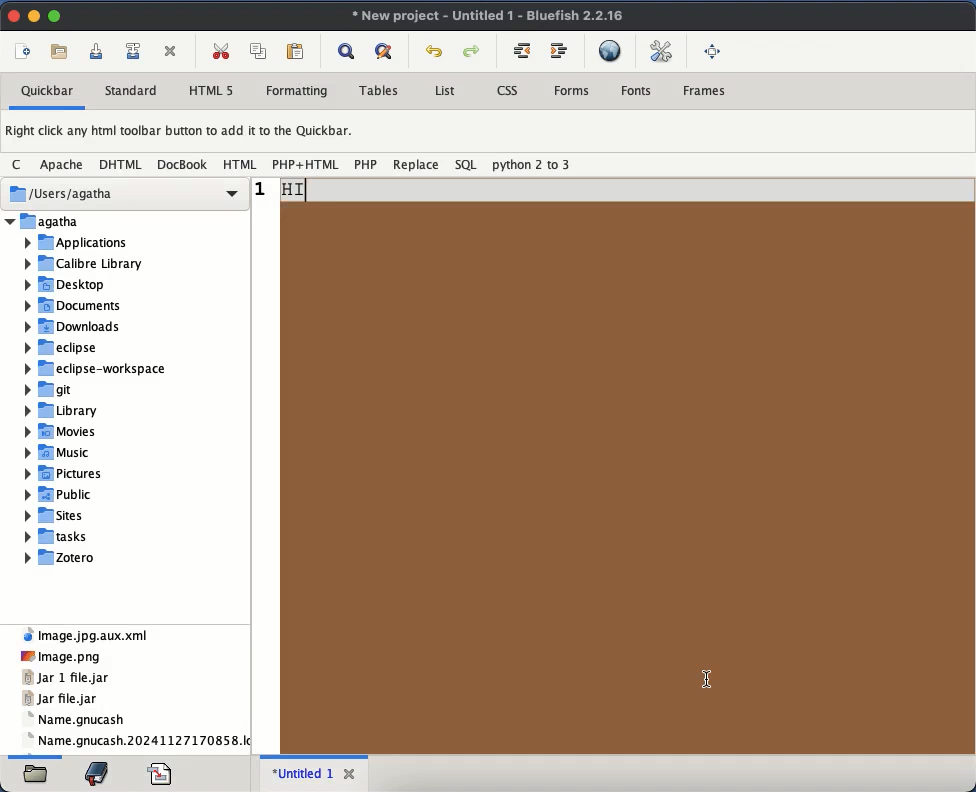 This screenshot has height=792, width=976. What do you see at coordinates (76, 244) in the screenshot?
I see `Applications` at bounding box center [76, 244].